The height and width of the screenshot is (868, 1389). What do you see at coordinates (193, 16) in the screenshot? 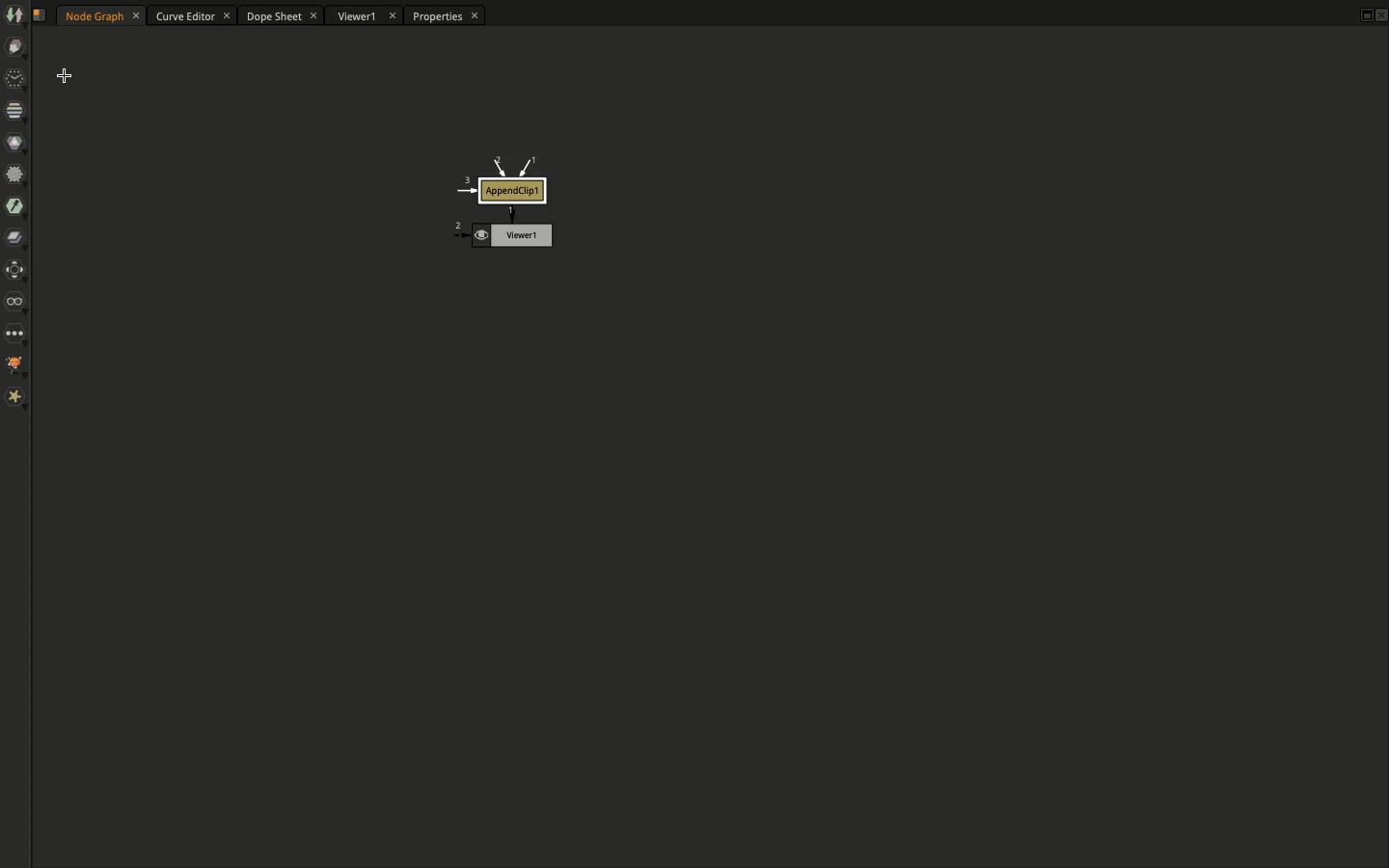
I see `Curve editor` at bounding box center [193, 16].